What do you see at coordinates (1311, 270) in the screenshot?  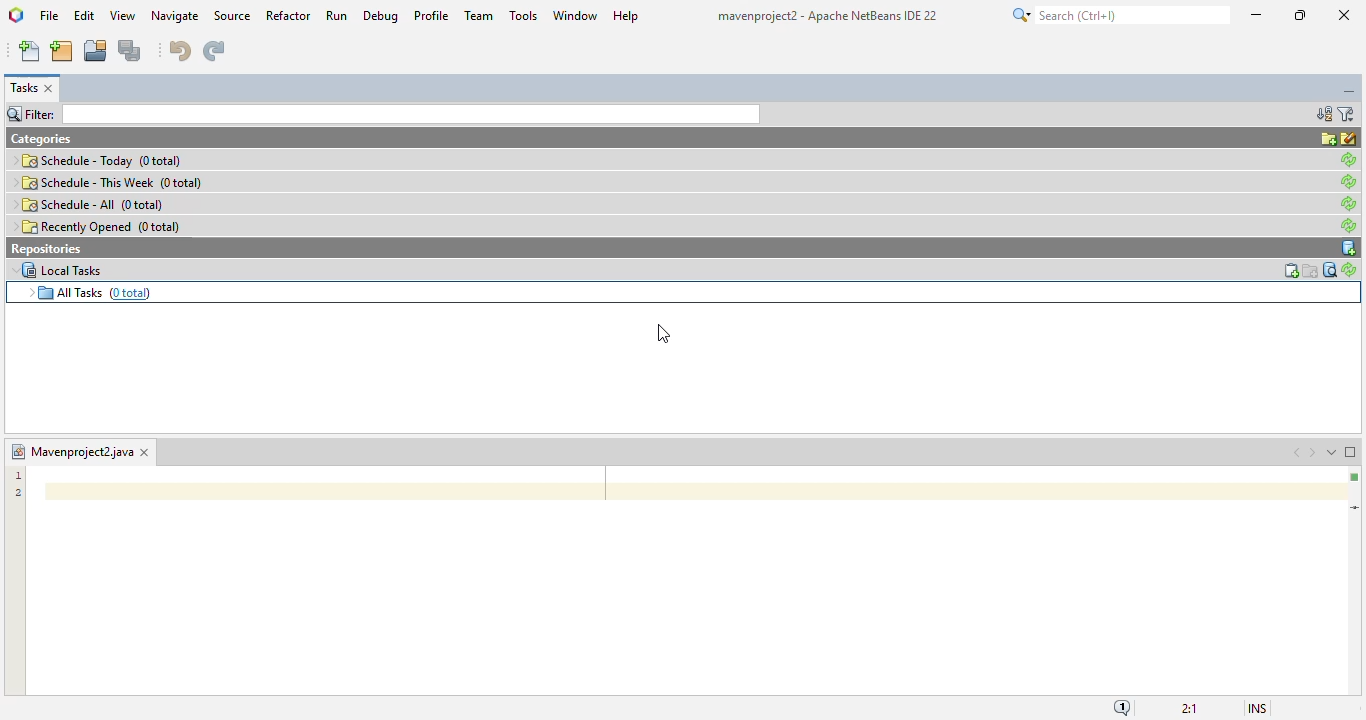 I see `create new query` at bounding box center [1311, 270].